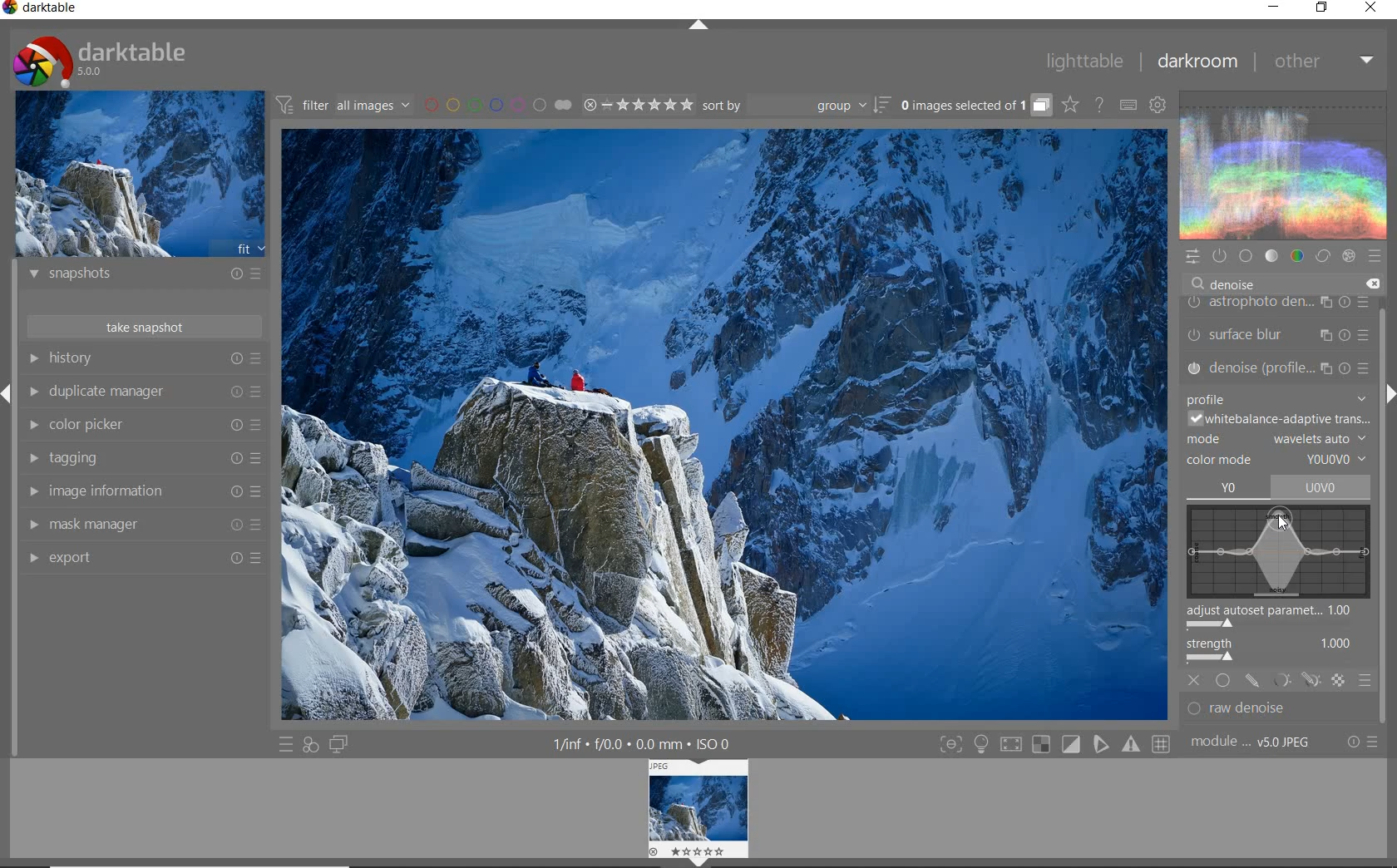  I want to click on base, so click(1246, 255).